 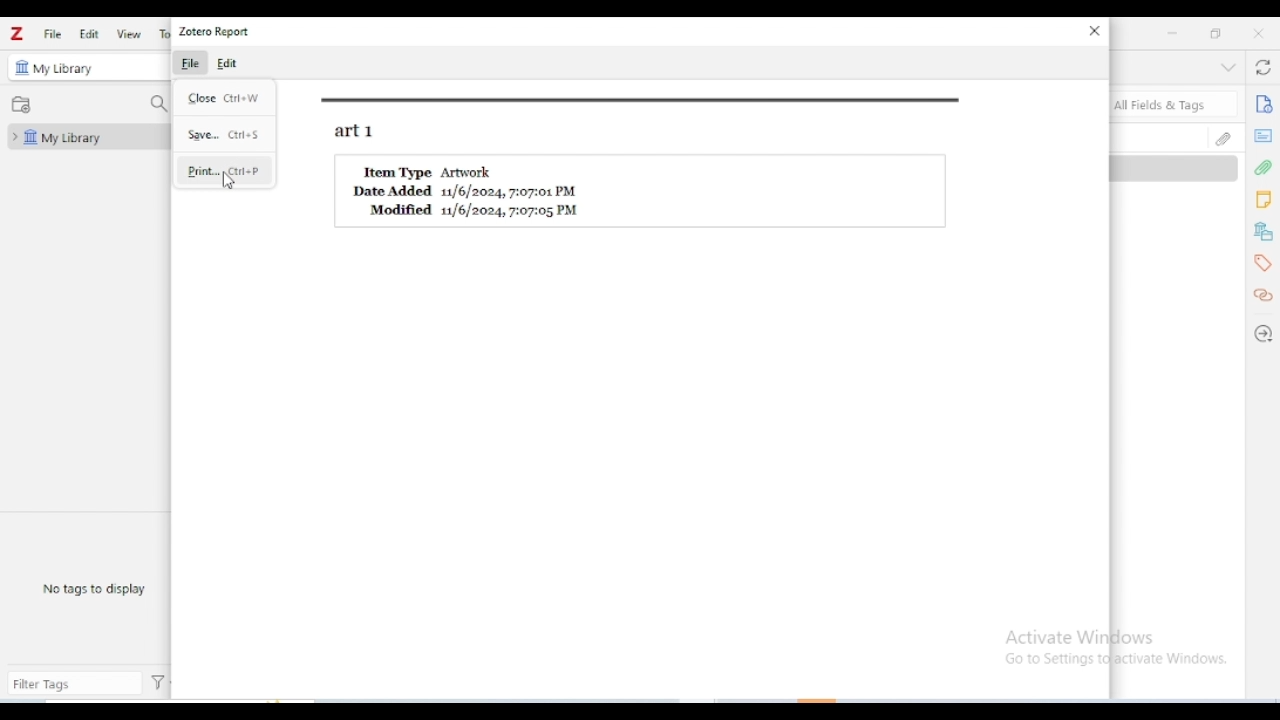 I want to click on Item Type Artwork, so click(x=431, y=171).